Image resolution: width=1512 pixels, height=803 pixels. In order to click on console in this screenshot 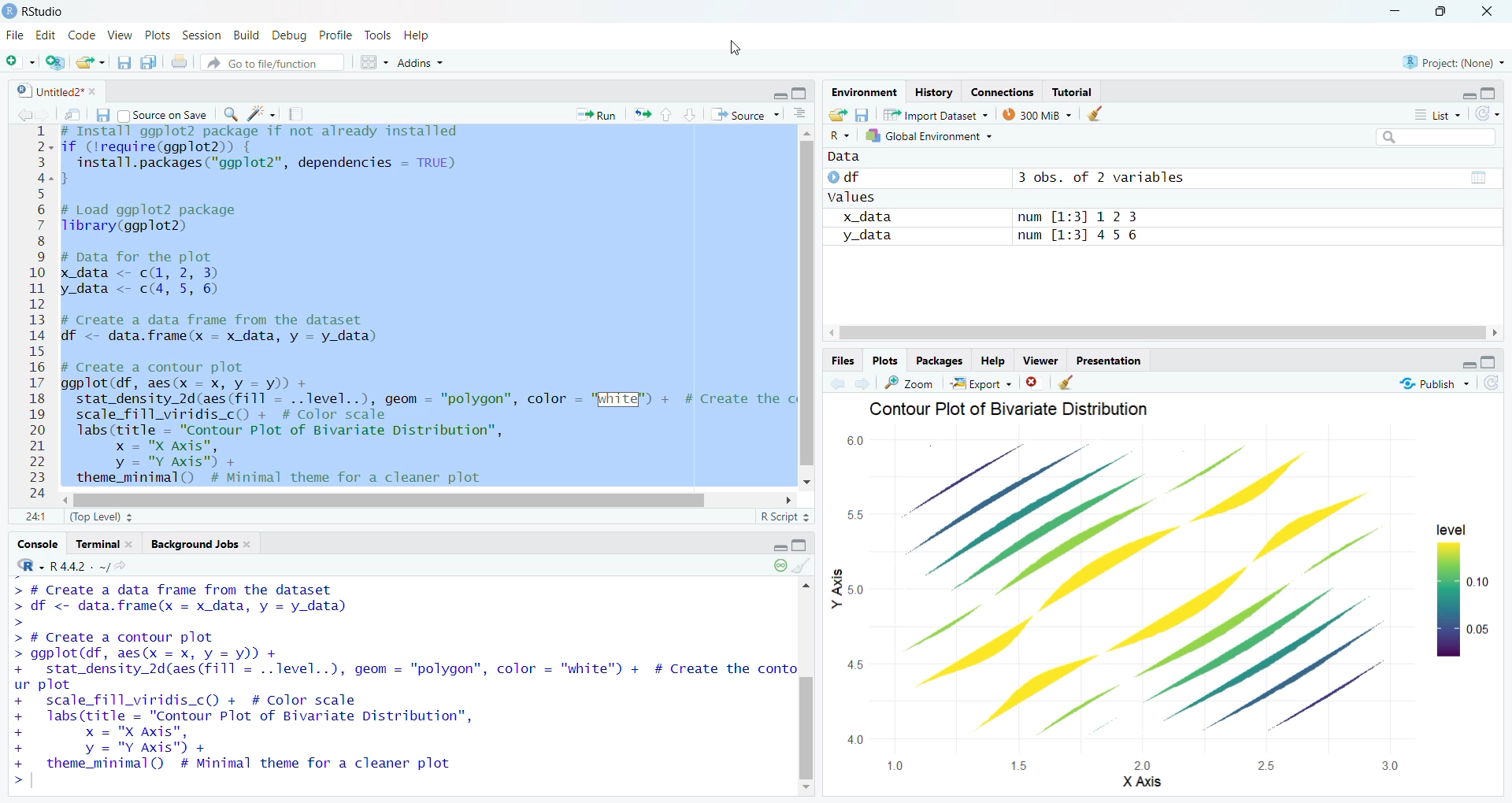, I will do `click(39, 547)`.